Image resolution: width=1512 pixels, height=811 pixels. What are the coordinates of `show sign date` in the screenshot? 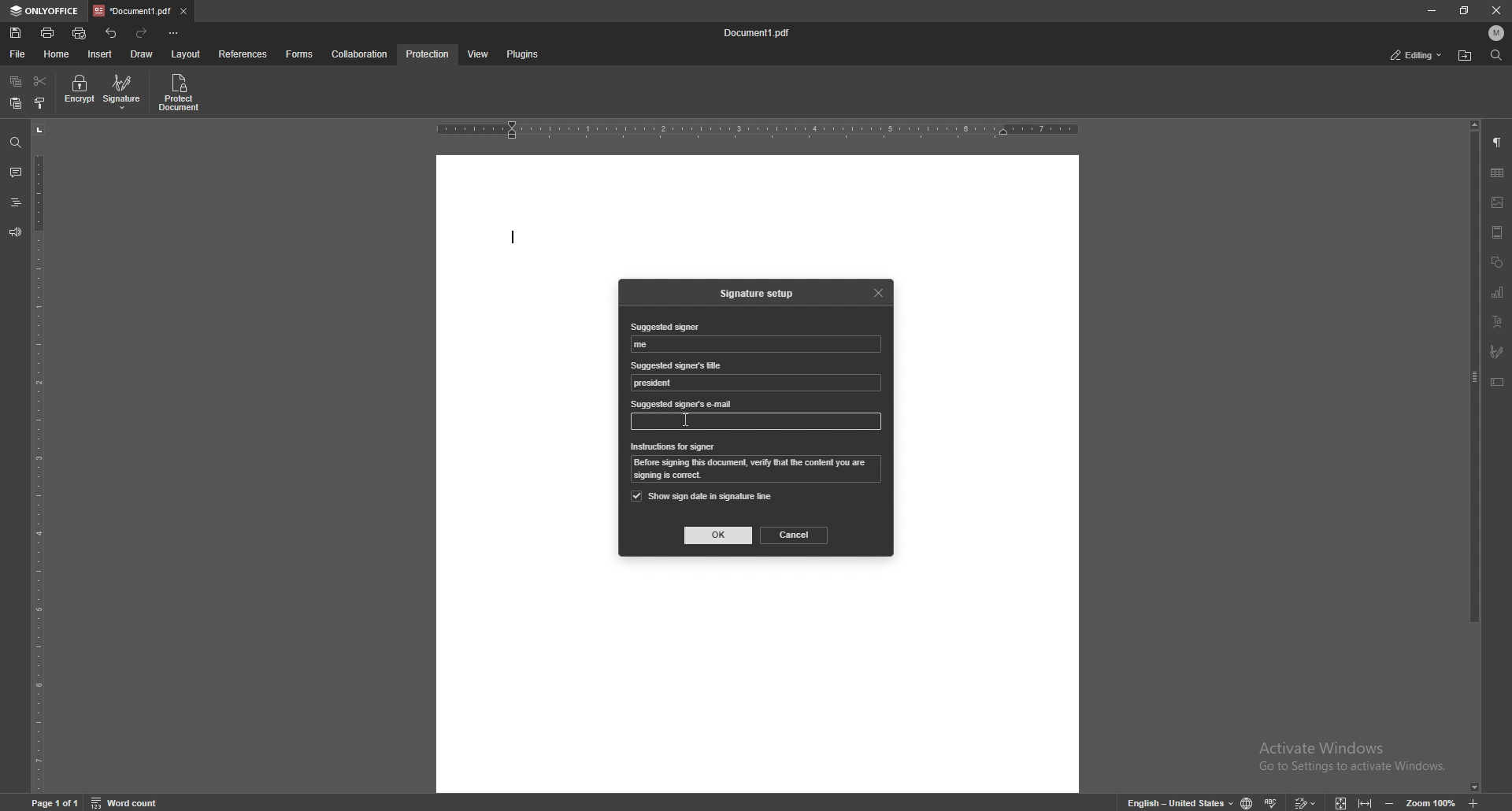 It's located at (702, 496).